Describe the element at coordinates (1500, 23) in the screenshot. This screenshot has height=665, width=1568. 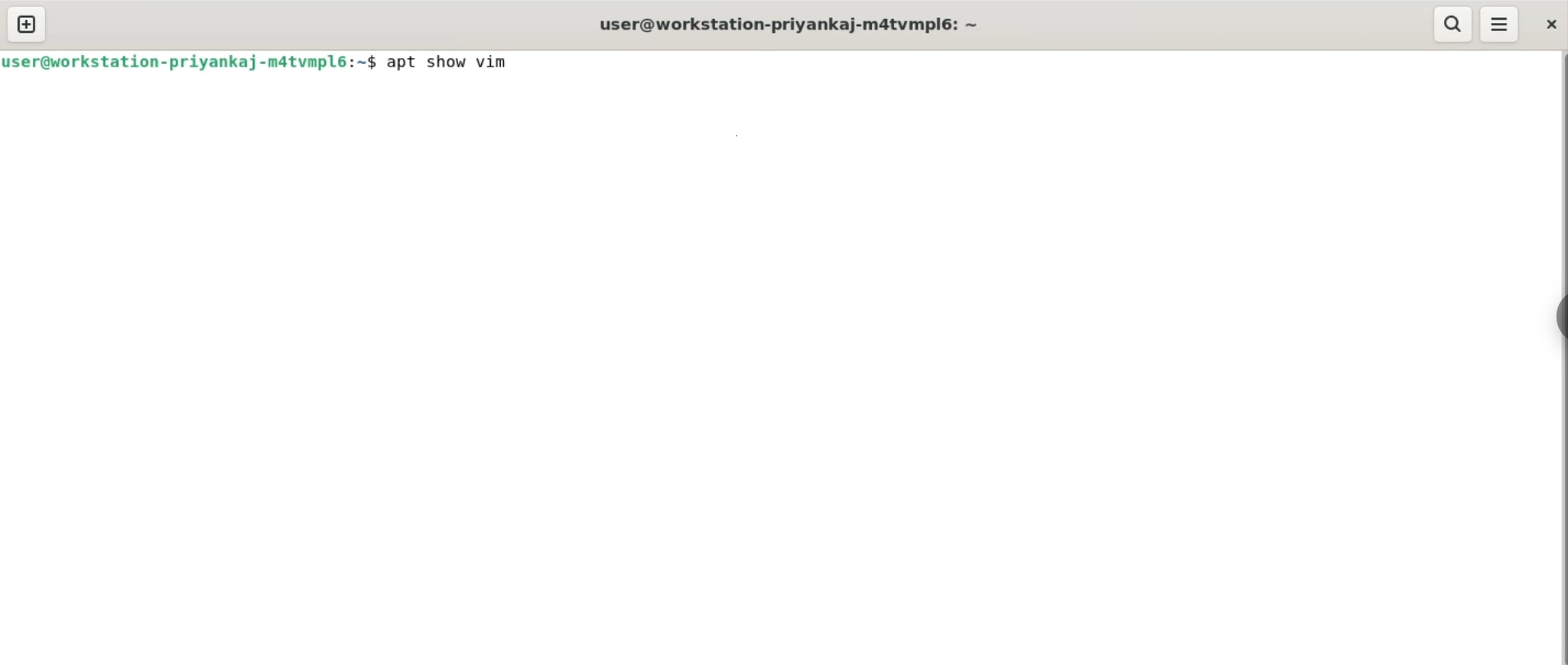
I see `menu` at that location.